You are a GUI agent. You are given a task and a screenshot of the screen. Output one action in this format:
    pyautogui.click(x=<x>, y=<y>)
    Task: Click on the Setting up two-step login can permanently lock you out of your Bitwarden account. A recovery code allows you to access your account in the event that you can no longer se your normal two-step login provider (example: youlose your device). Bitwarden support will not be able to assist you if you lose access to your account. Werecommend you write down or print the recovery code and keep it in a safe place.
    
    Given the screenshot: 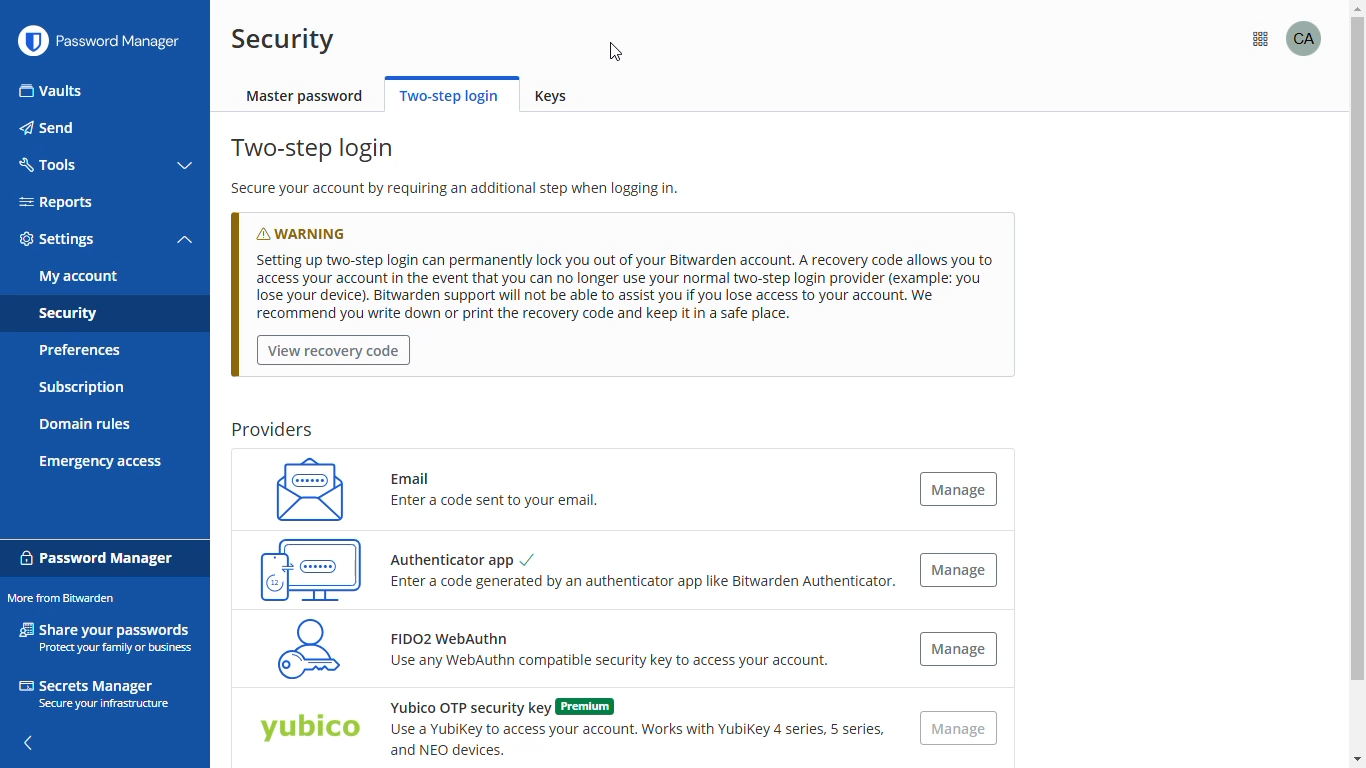 What is the action you would take?
    pyautogui.click(x=618, y=287)
    